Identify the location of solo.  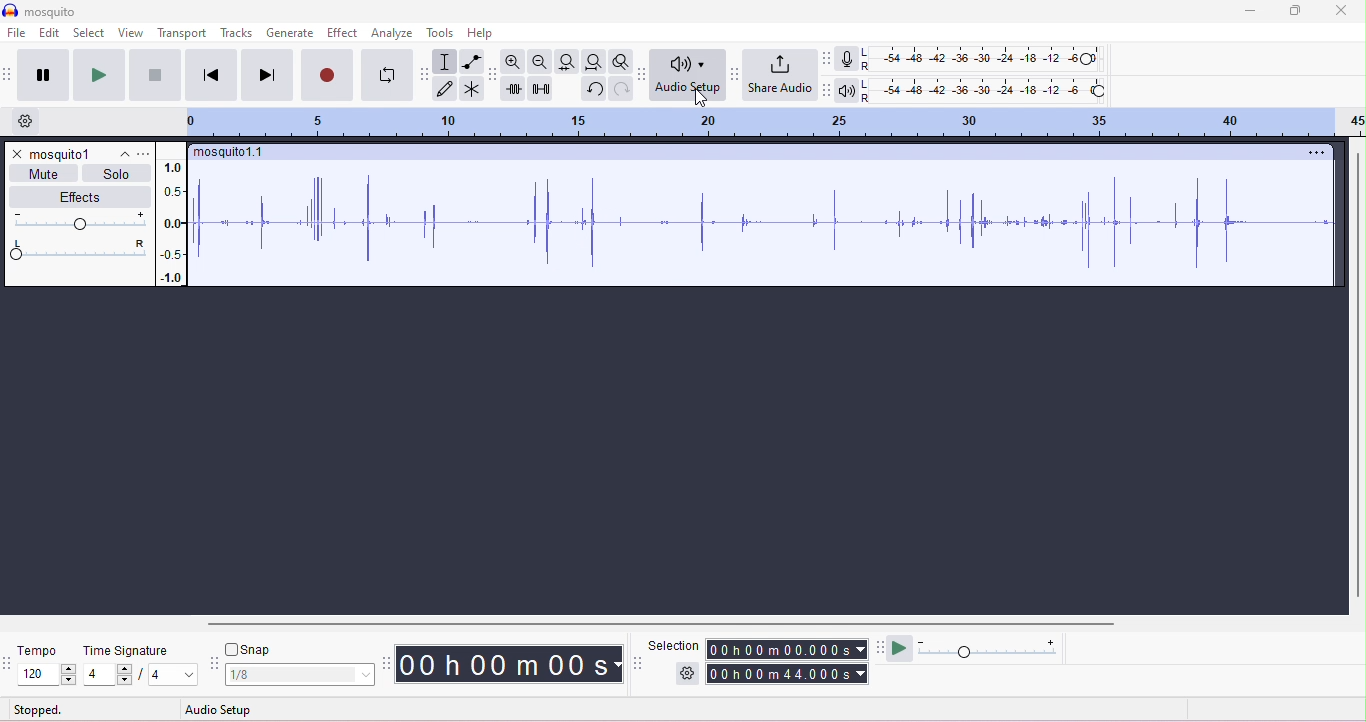
(116, 174).